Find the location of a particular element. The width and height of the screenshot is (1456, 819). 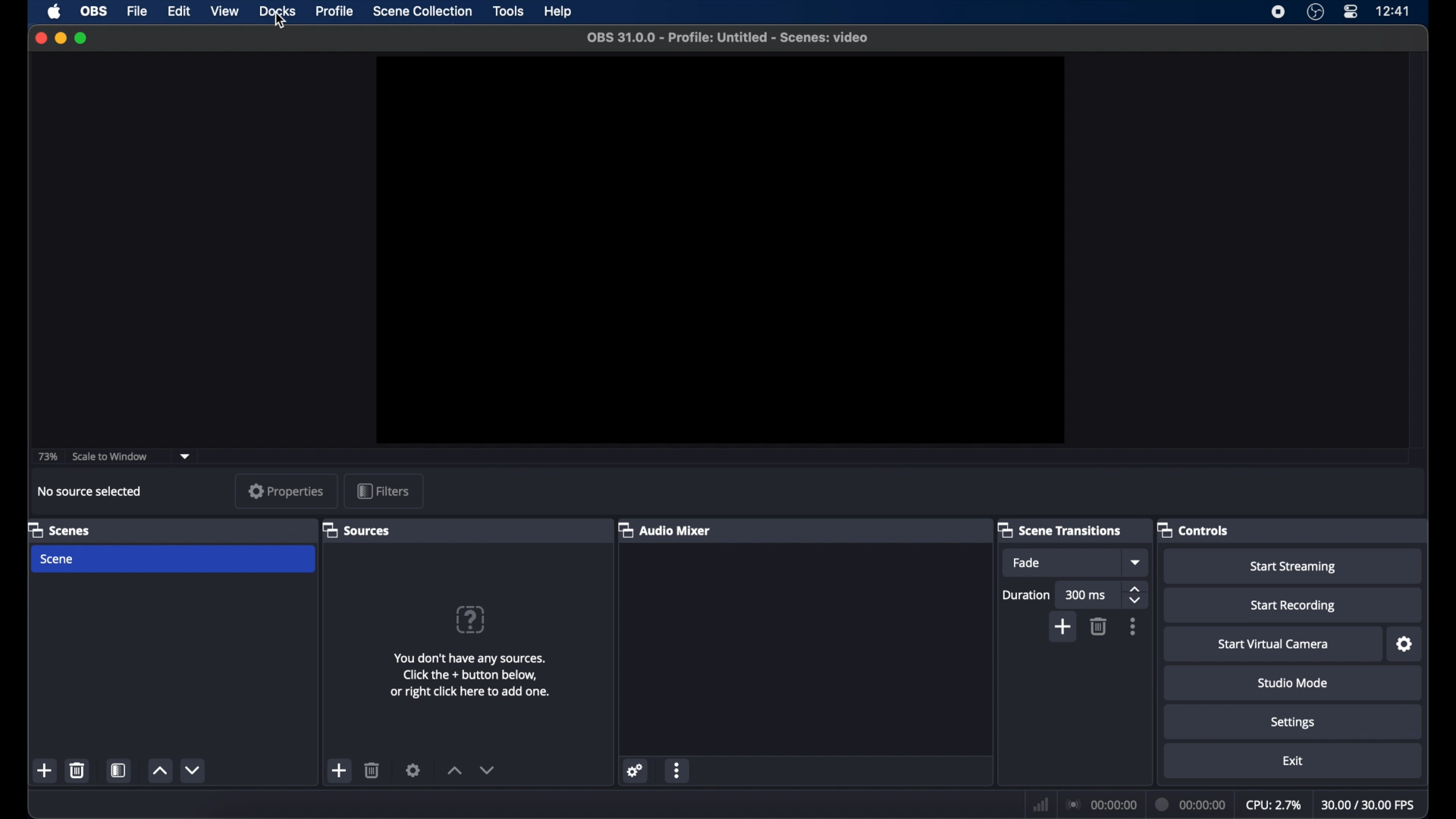

profile is located at coordinates (336, 11).